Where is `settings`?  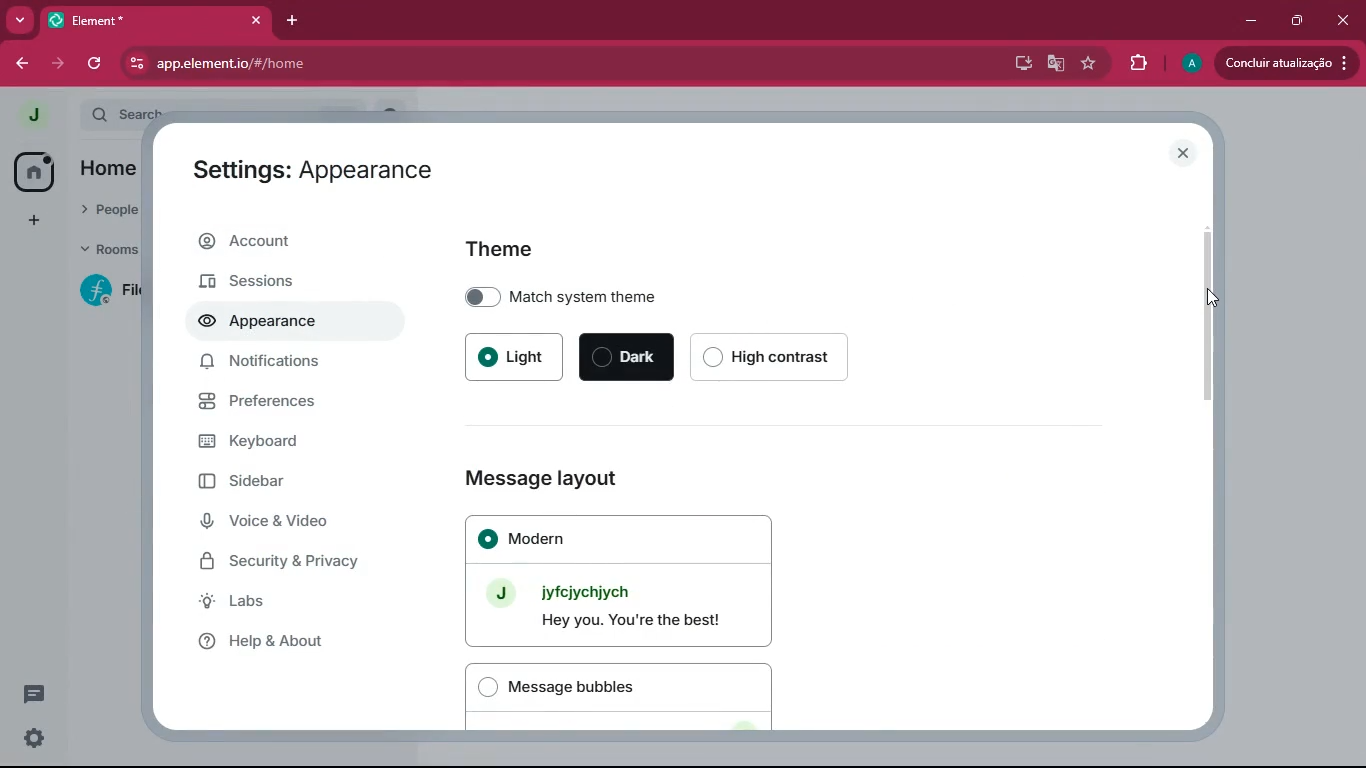
settings is located at coordinates (33, 737).